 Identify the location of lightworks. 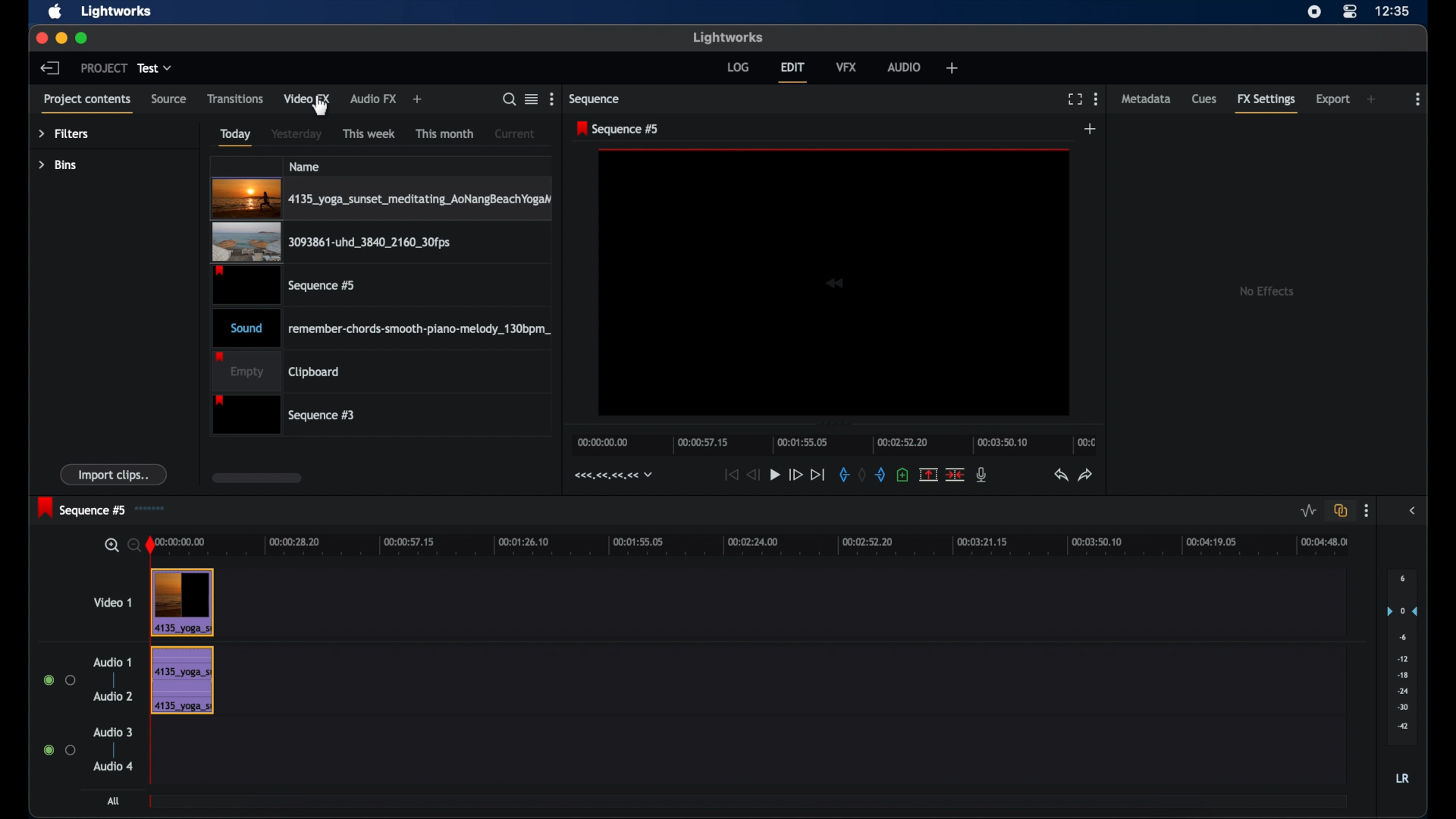
(727, 37).